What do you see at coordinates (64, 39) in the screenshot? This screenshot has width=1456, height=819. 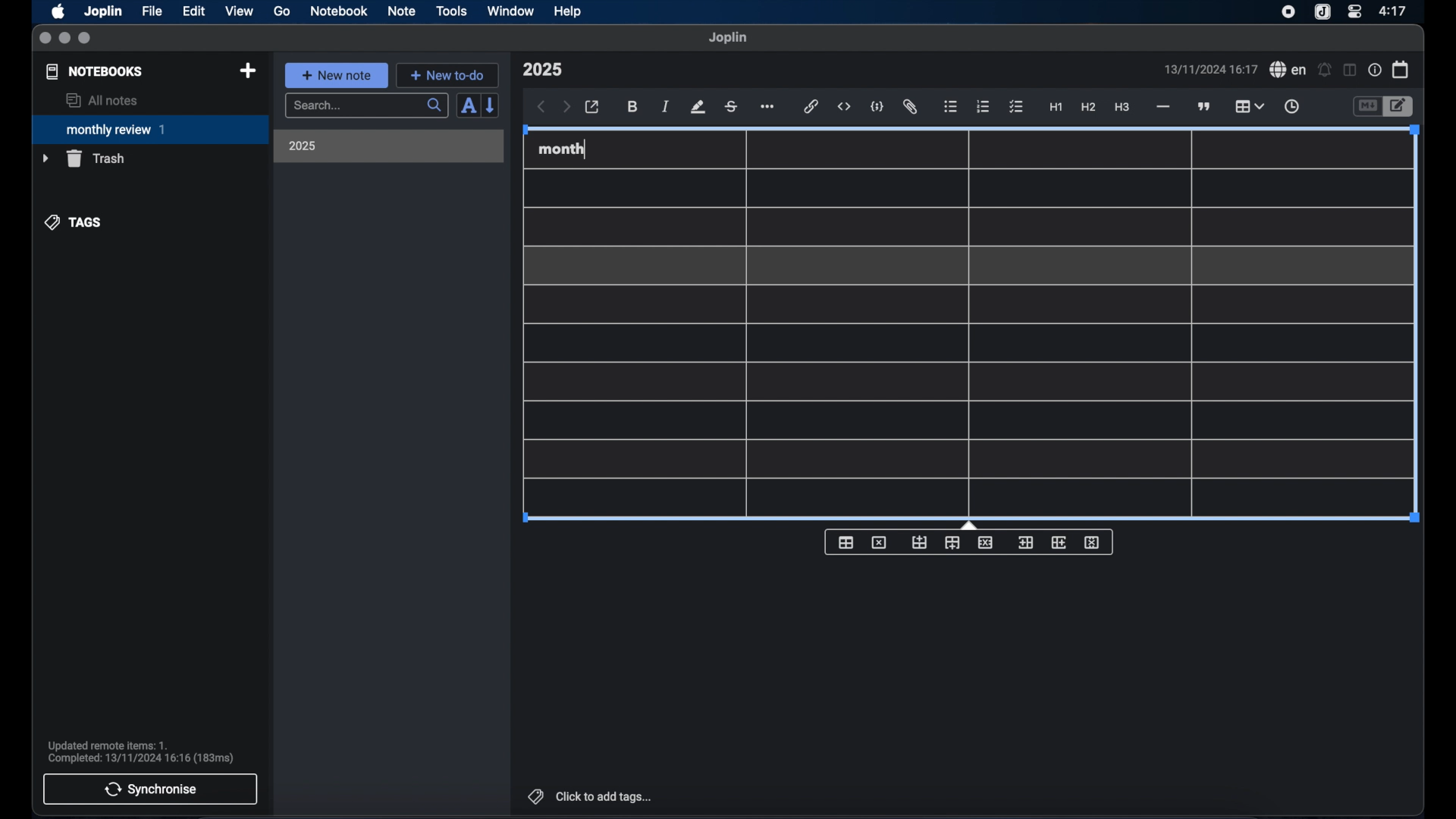 I see `minimize` at bounding box center [64, 39].